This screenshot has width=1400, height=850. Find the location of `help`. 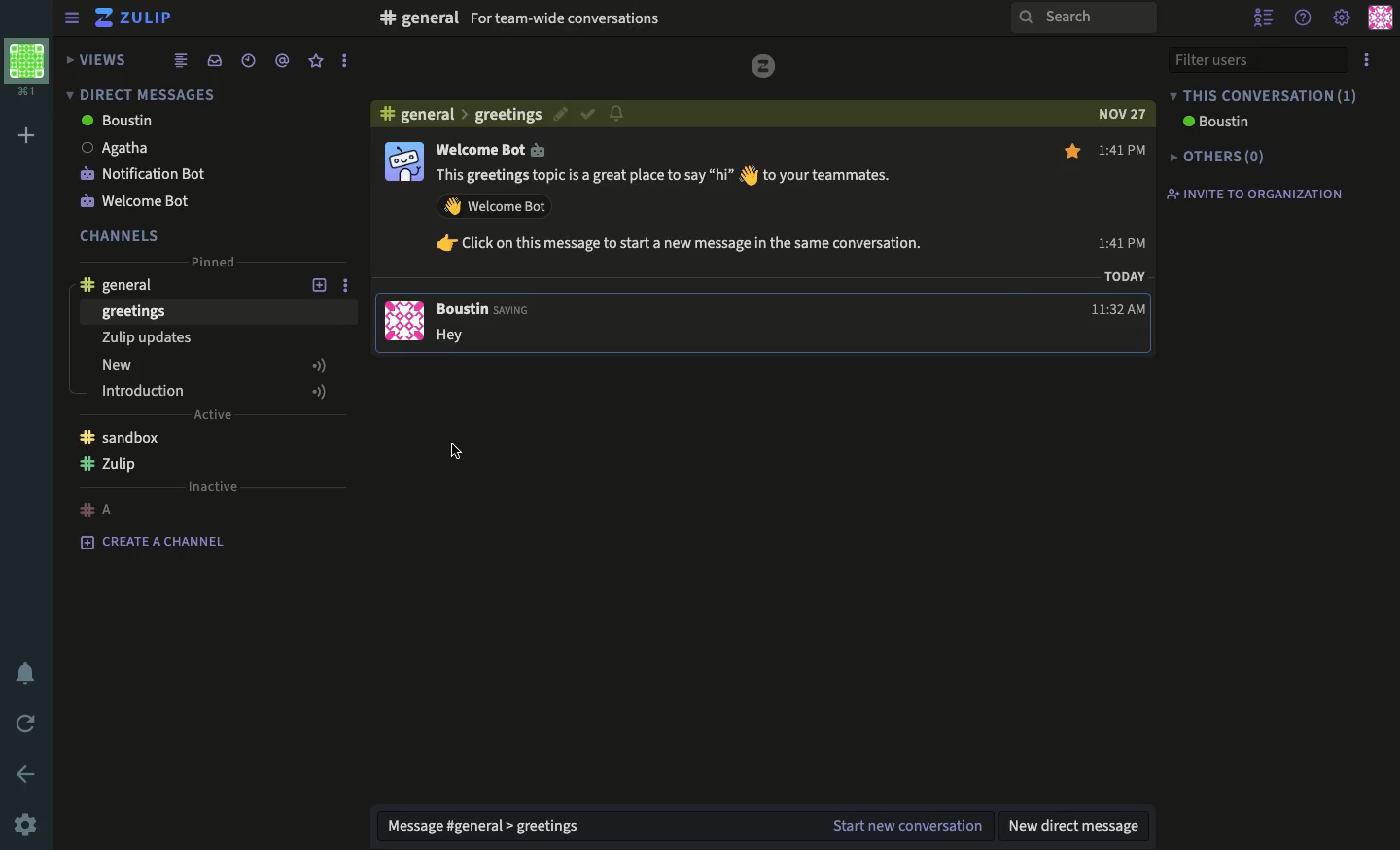

help is located at coordinates (1303, 18).